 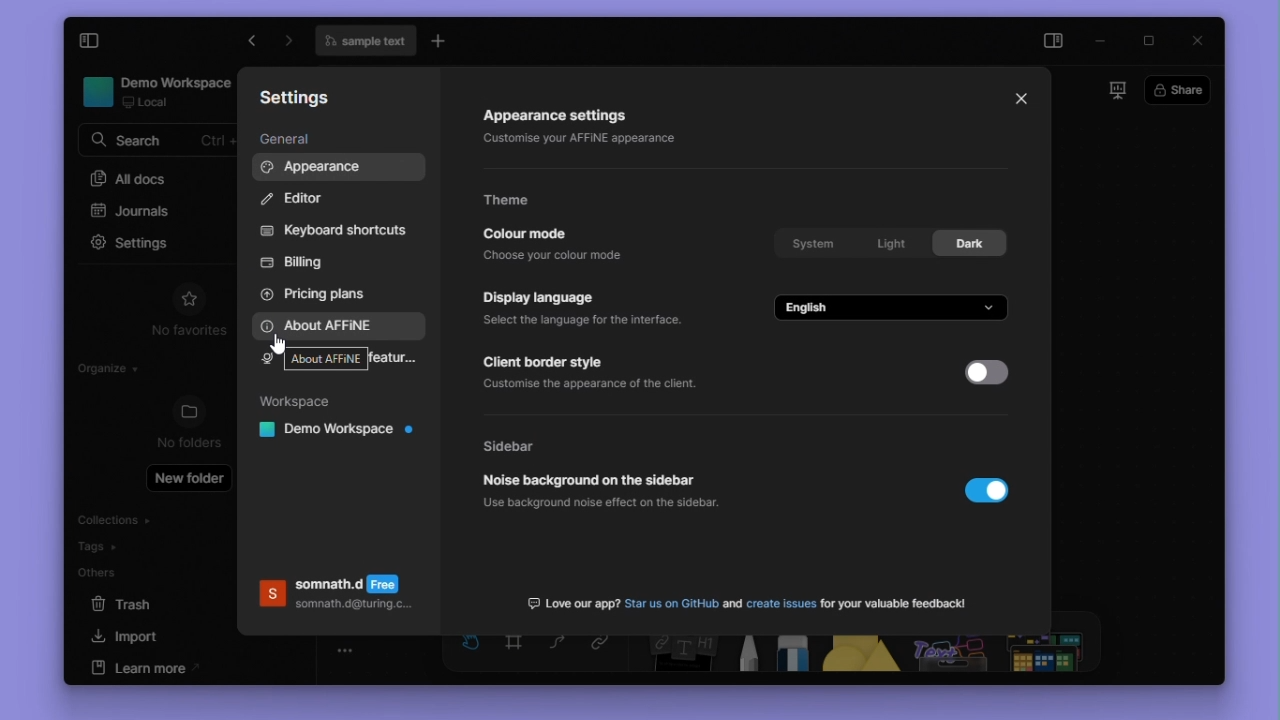 I want to click on Keyboard shortcuts, so click(x=335, y=228).